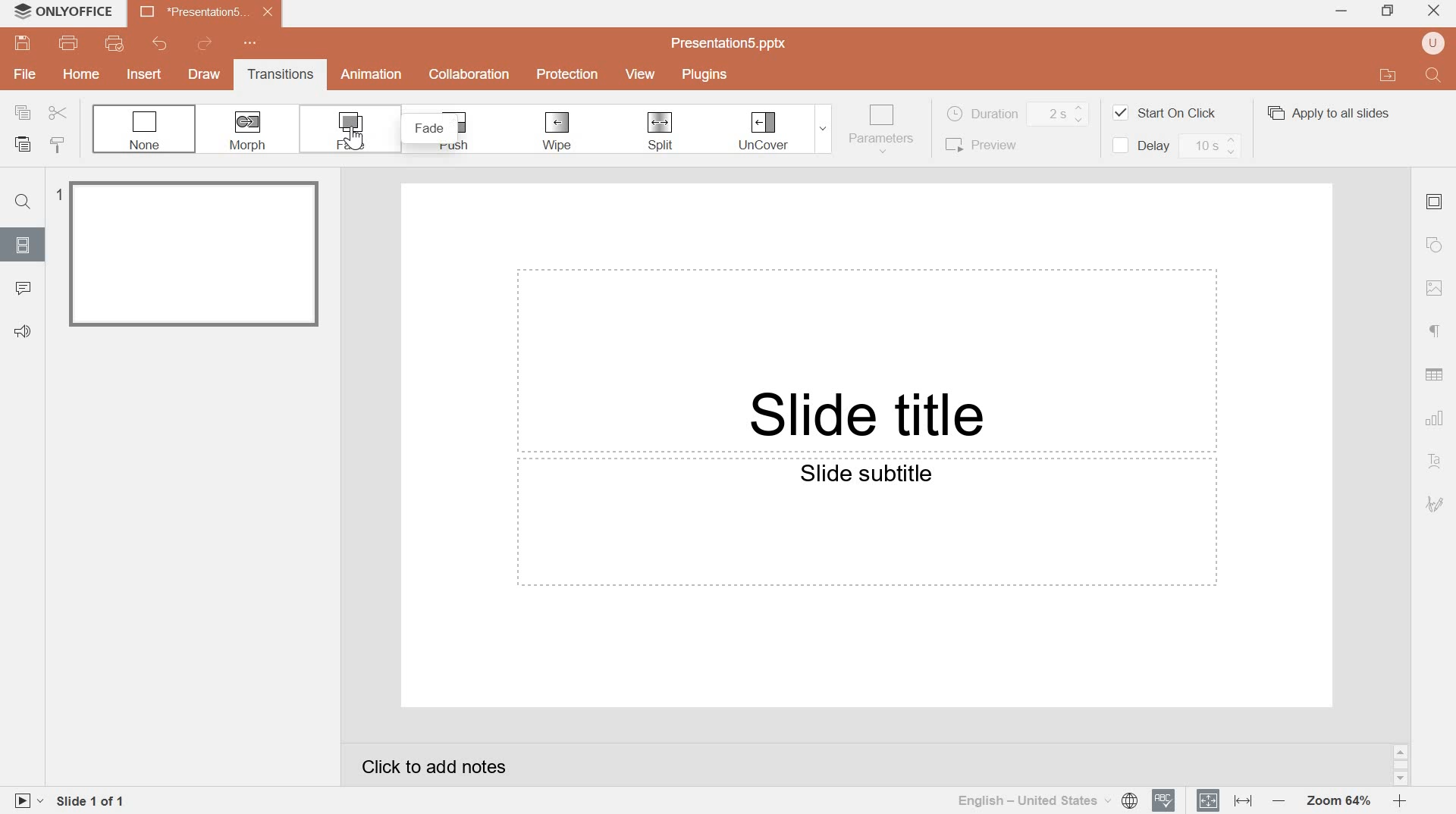 The height and width of the screenshot is (814, 1456). What do you see at coordinates (1174, 146) in the screenshot?
I see `Delay` at bounding box center [1174, 146].